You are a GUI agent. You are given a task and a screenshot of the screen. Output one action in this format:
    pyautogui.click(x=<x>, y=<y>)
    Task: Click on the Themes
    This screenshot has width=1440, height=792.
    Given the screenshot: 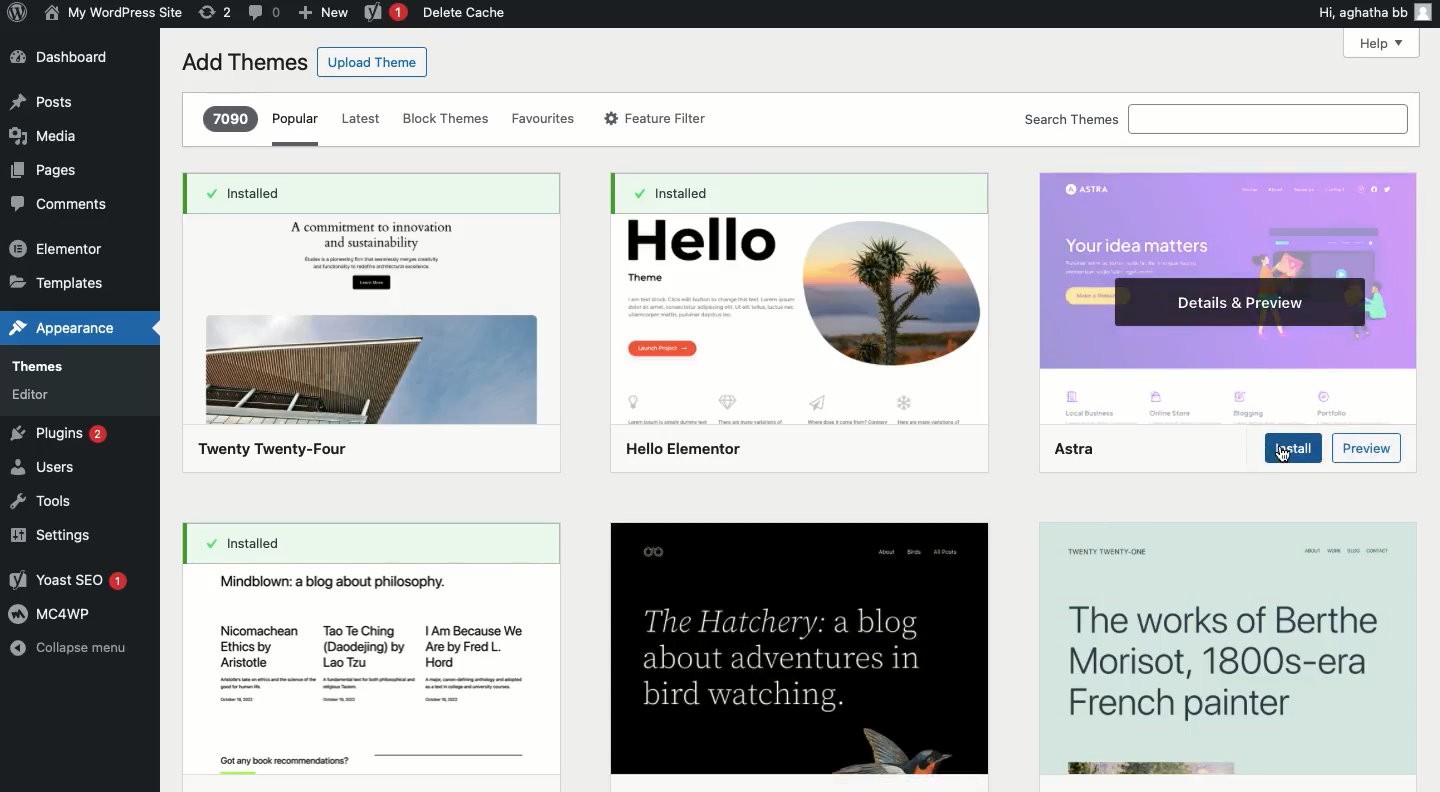 What is the action you would take?
    pyautogui.click(x=54, y=371)
    